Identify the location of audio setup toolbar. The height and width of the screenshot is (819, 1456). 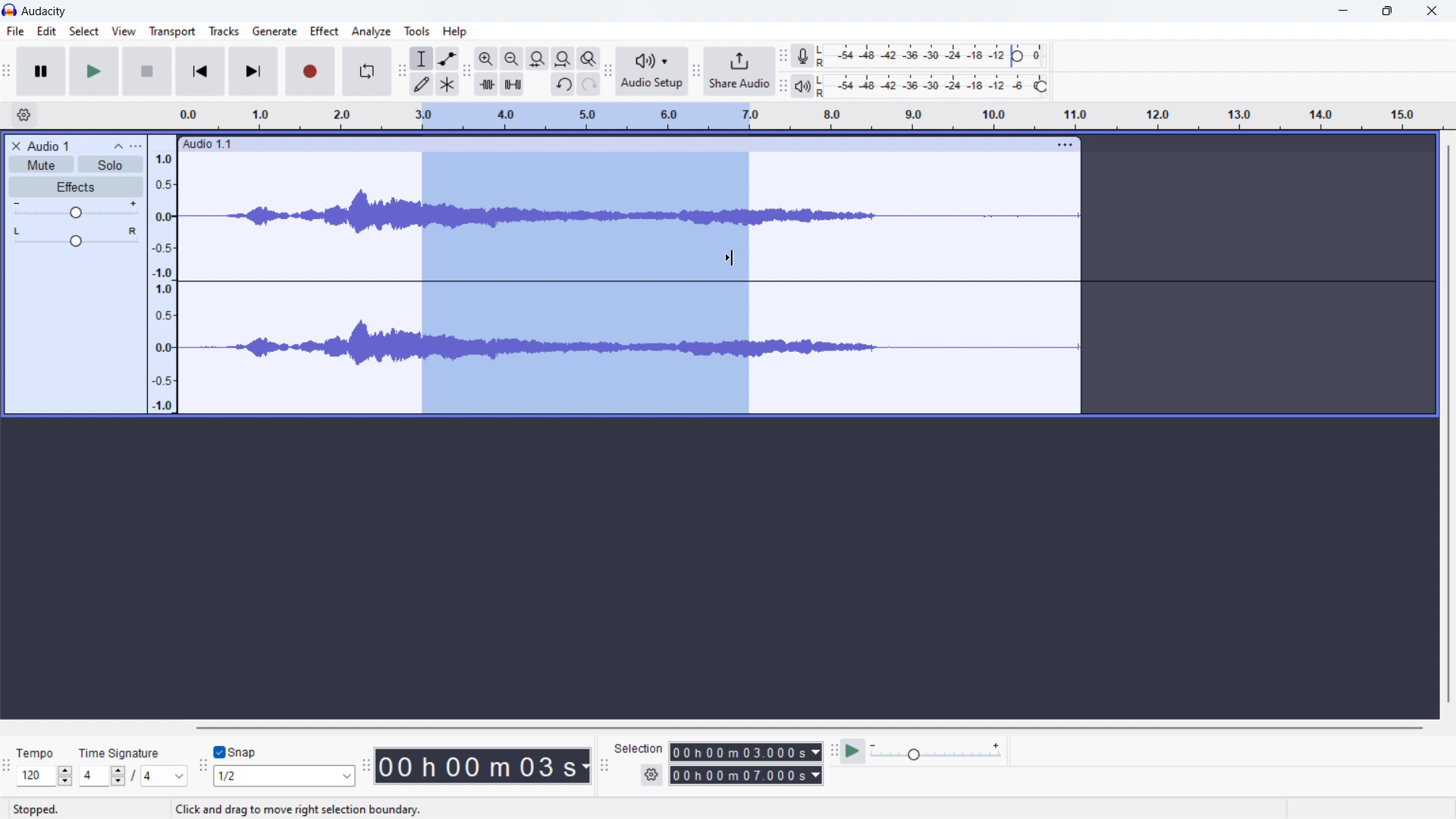
(608, 71).